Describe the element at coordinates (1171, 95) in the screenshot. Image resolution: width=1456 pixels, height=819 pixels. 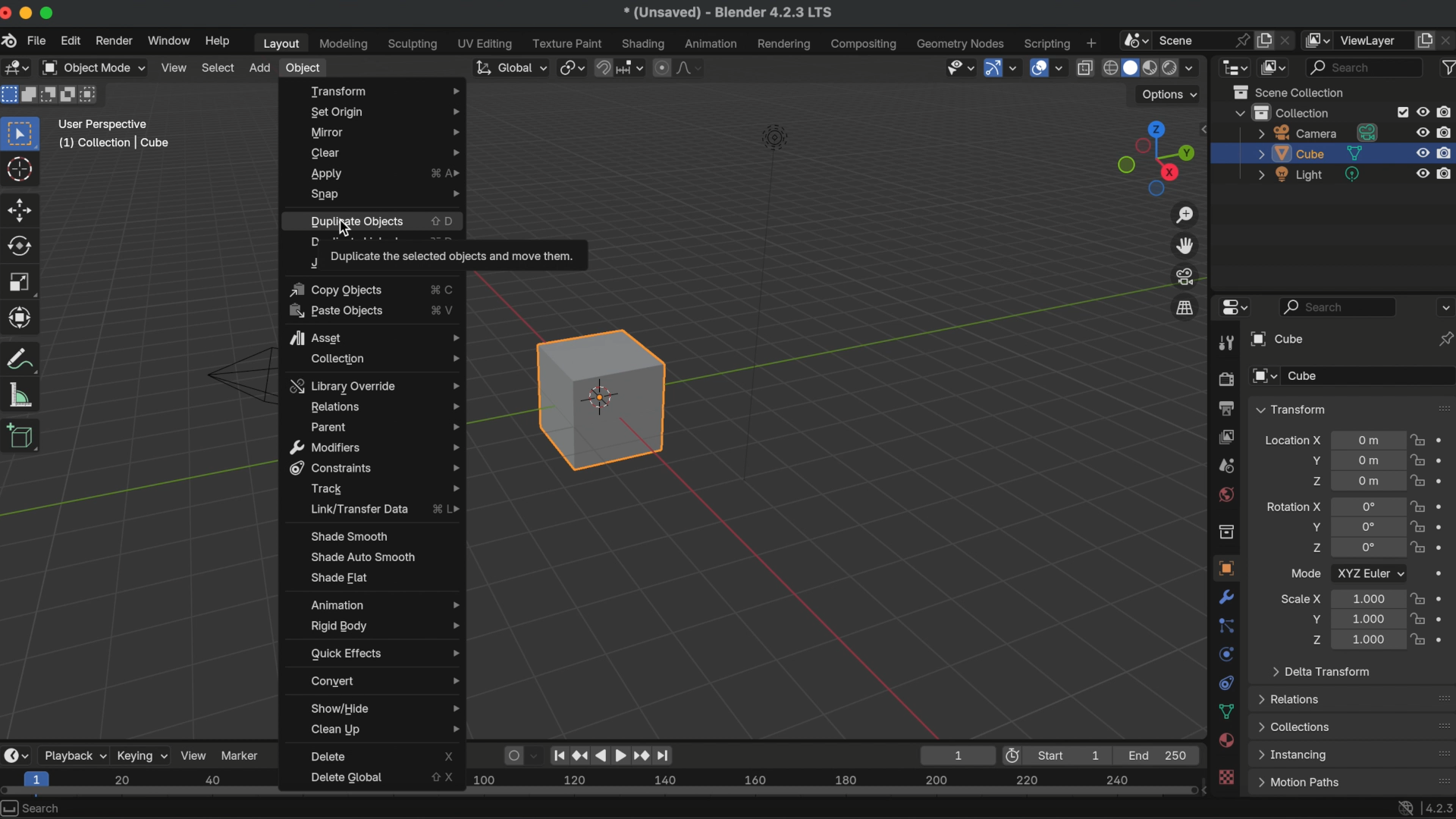
I see `options` at that location.